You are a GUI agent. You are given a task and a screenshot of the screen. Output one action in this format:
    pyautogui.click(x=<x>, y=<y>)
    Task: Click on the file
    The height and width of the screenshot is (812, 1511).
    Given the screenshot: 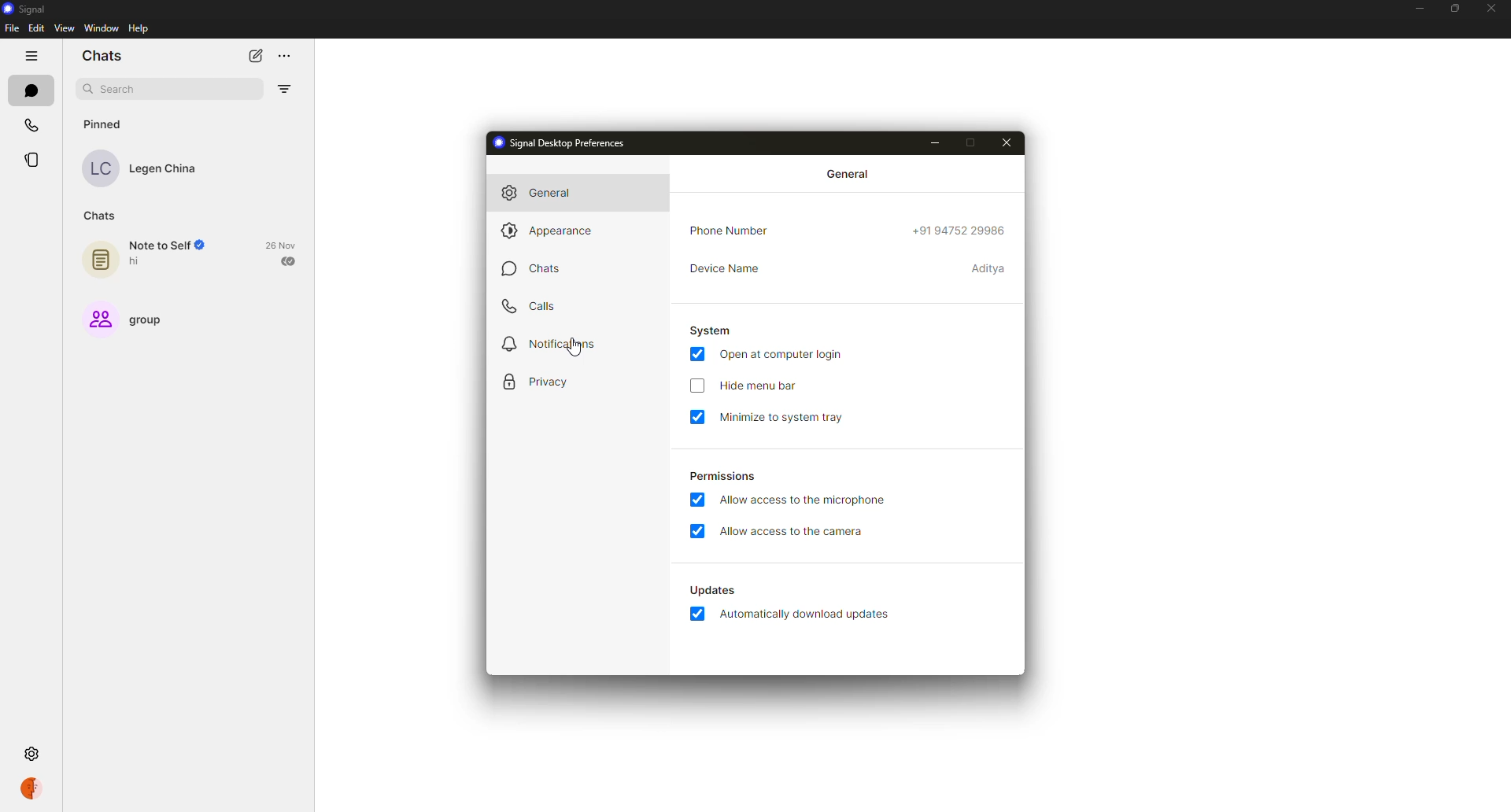 What is the action you would take?
    pyautogui.click(x=12, y=28)
    